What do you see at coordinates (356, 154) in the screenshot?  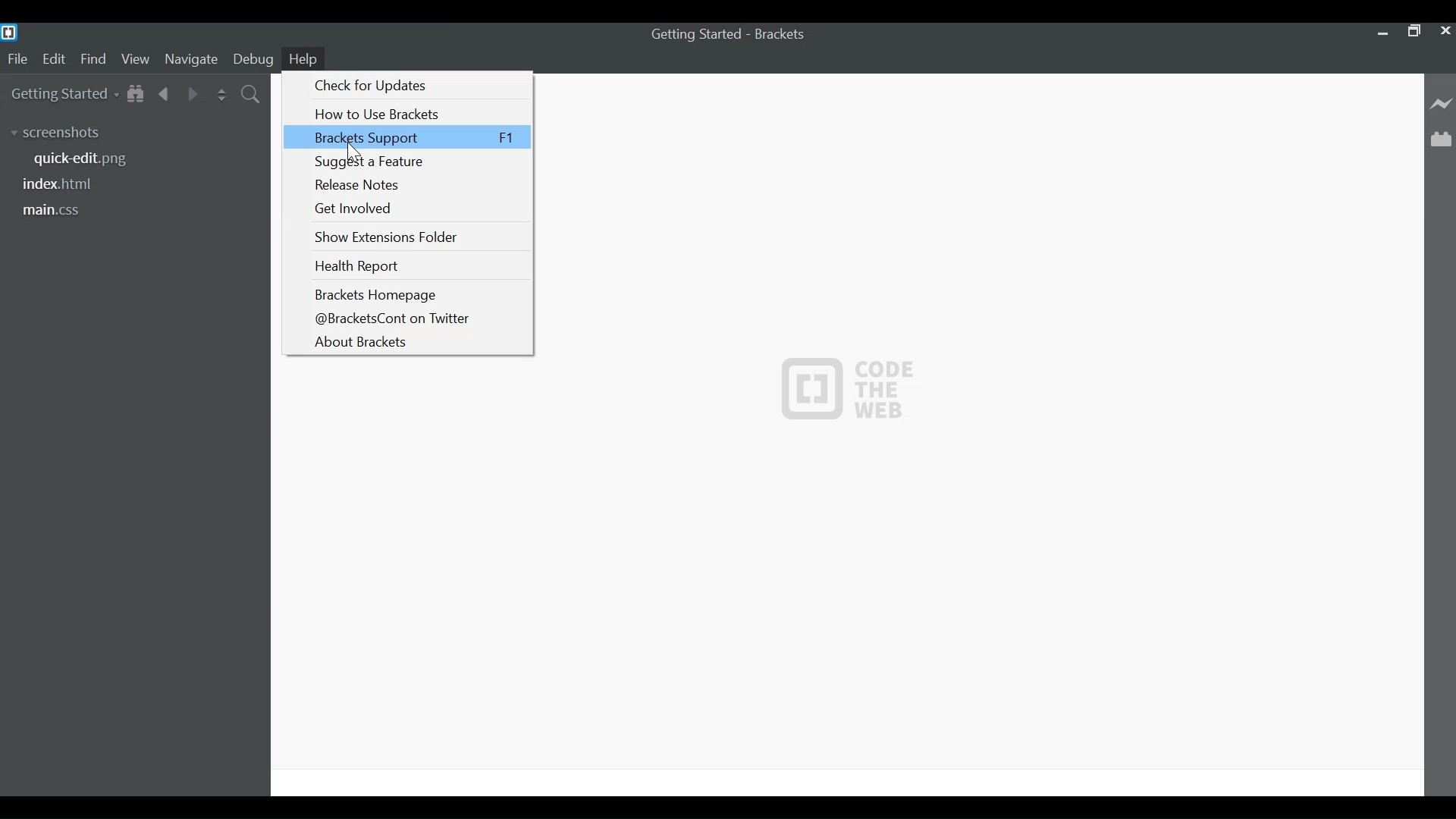 I see `Cursor` at bounding box center [356, 154].